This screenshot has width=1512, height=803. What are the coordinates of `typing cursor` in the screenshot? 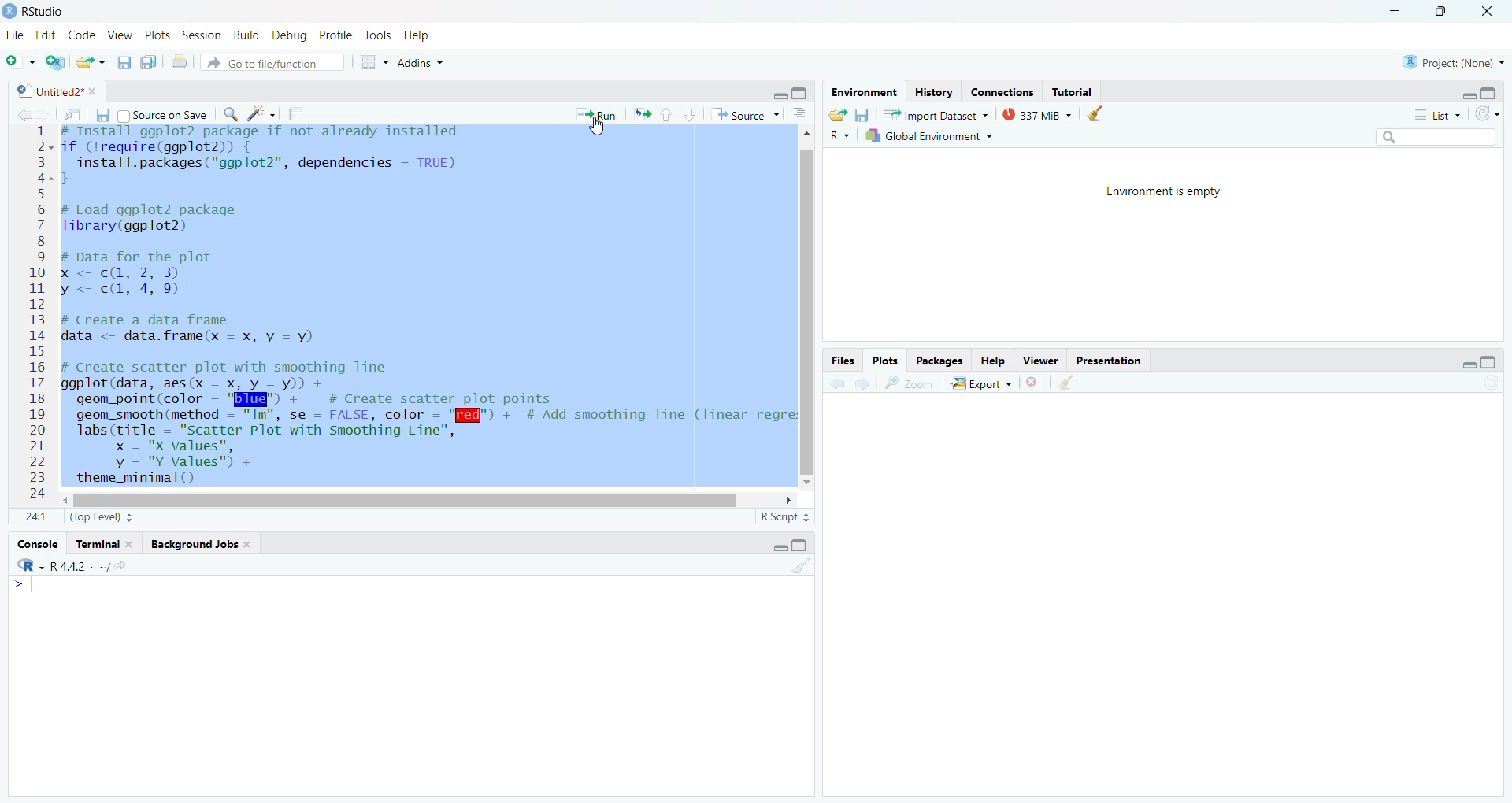 It's located at (29, 589).